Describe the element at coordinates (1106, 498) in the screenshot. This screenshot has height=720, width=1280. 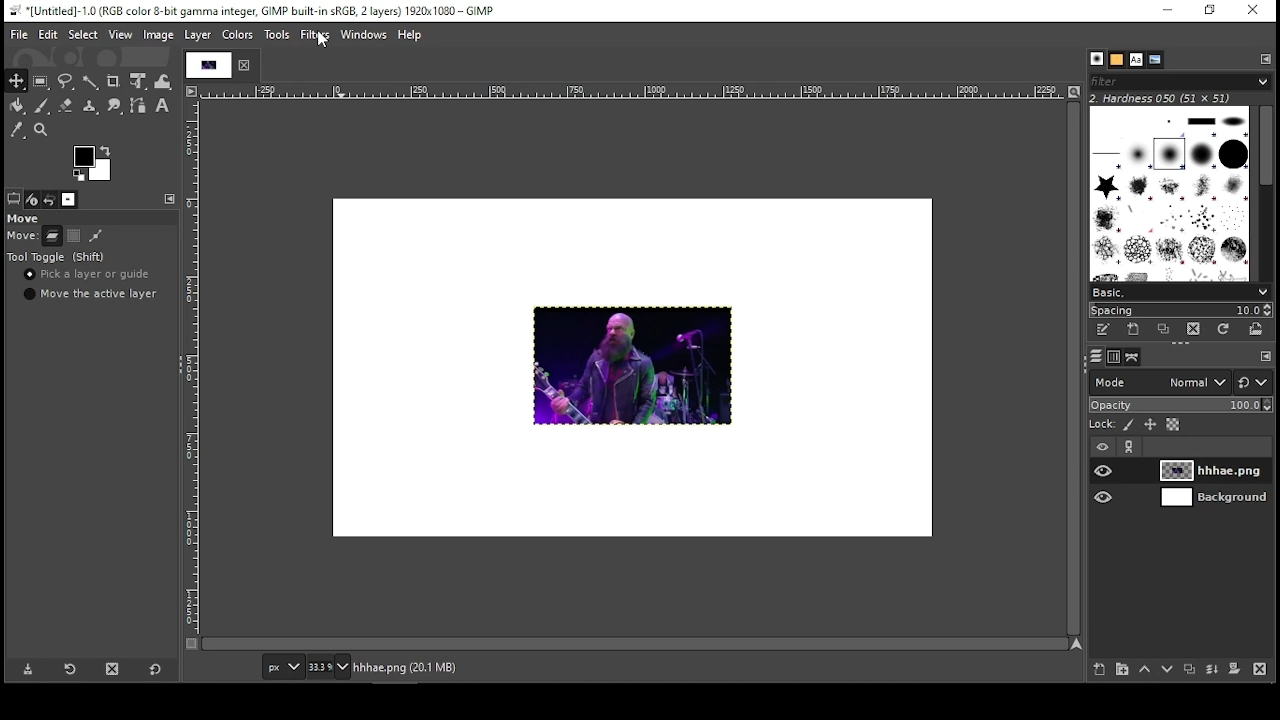
I see `layer visibility on/off` at that location.